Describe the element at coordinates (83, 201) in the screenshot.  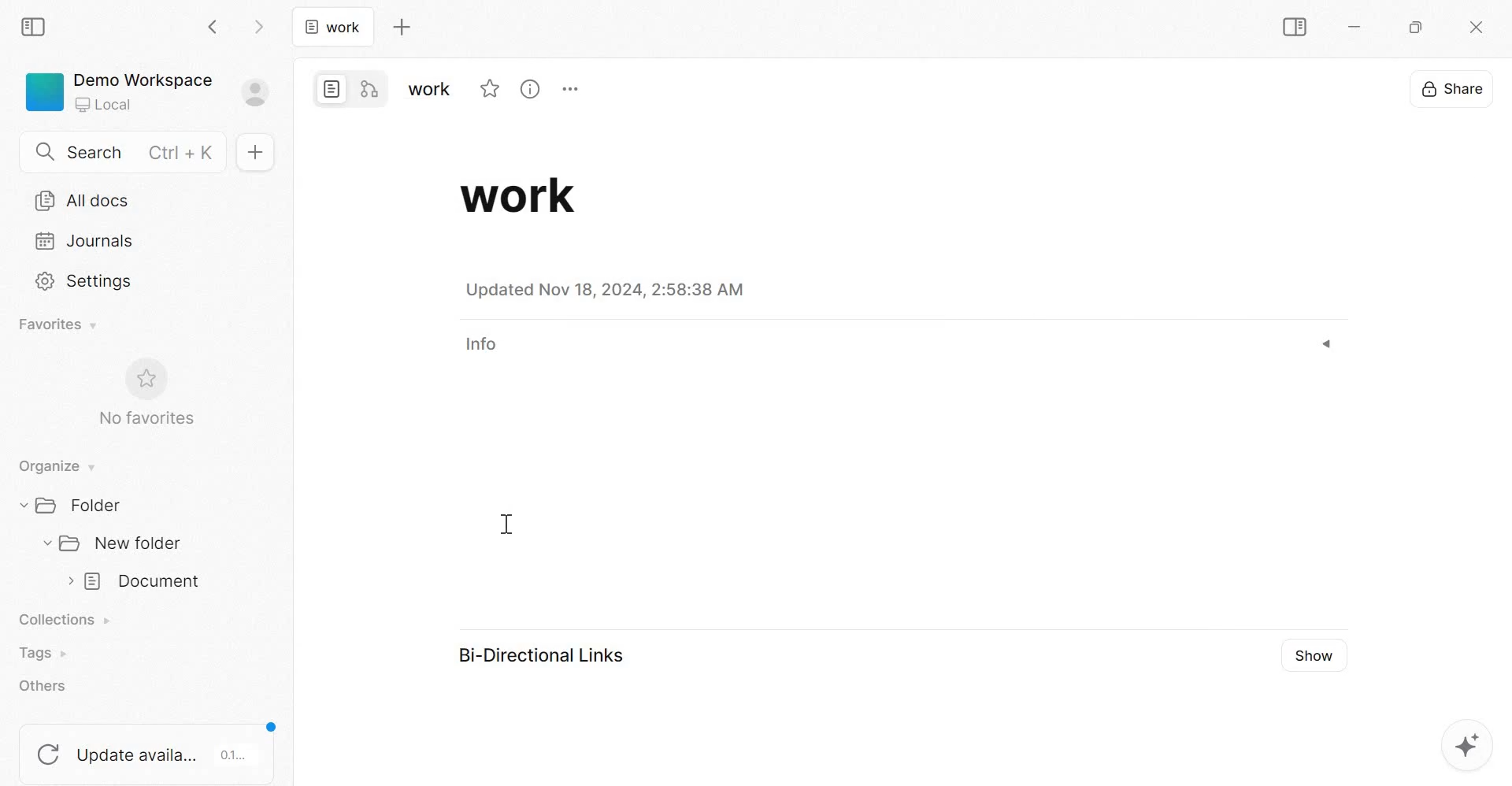
I see `All docs` at that location.